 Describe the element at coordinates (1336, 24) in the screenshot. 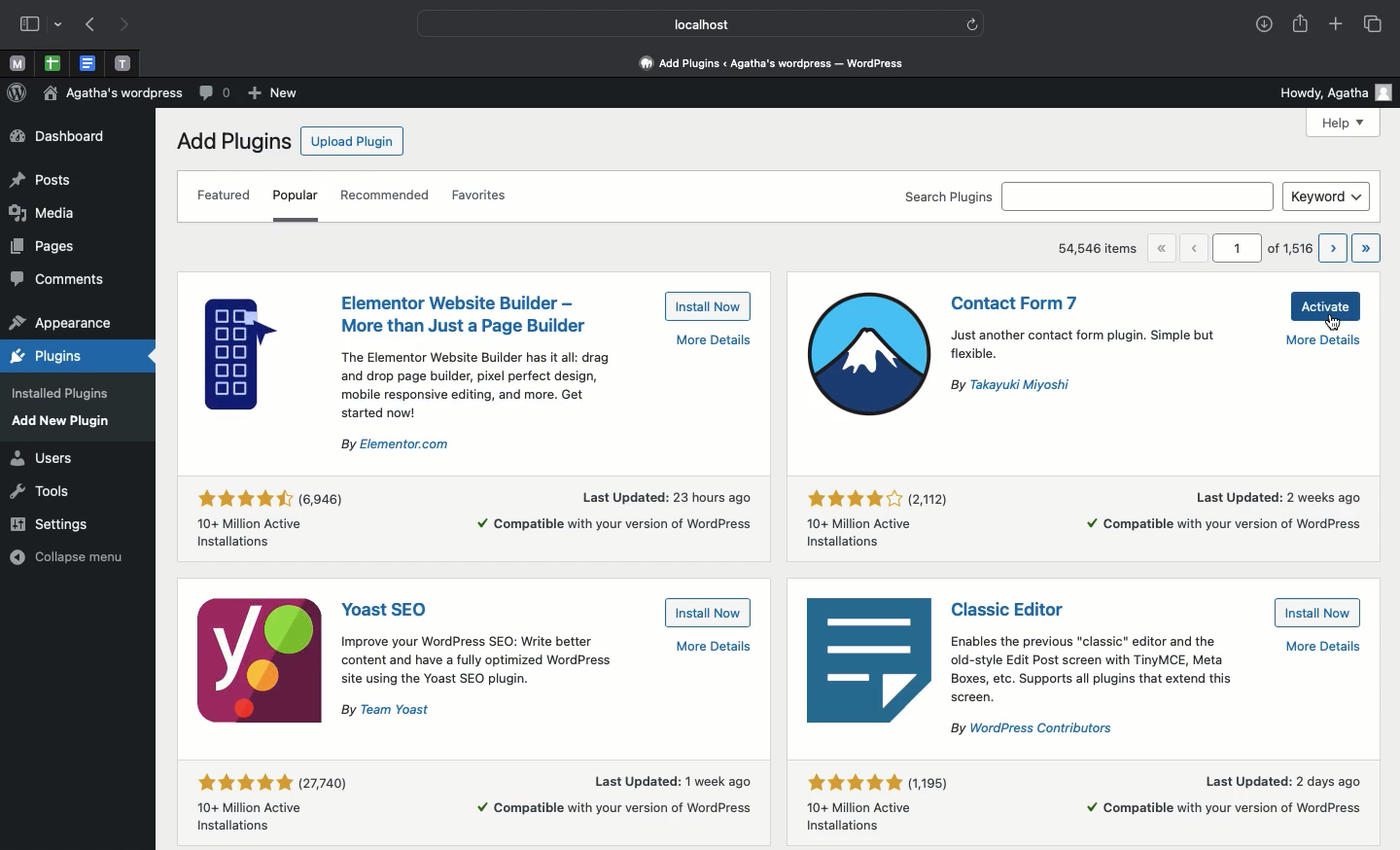

I see `Add new tab` at that location.